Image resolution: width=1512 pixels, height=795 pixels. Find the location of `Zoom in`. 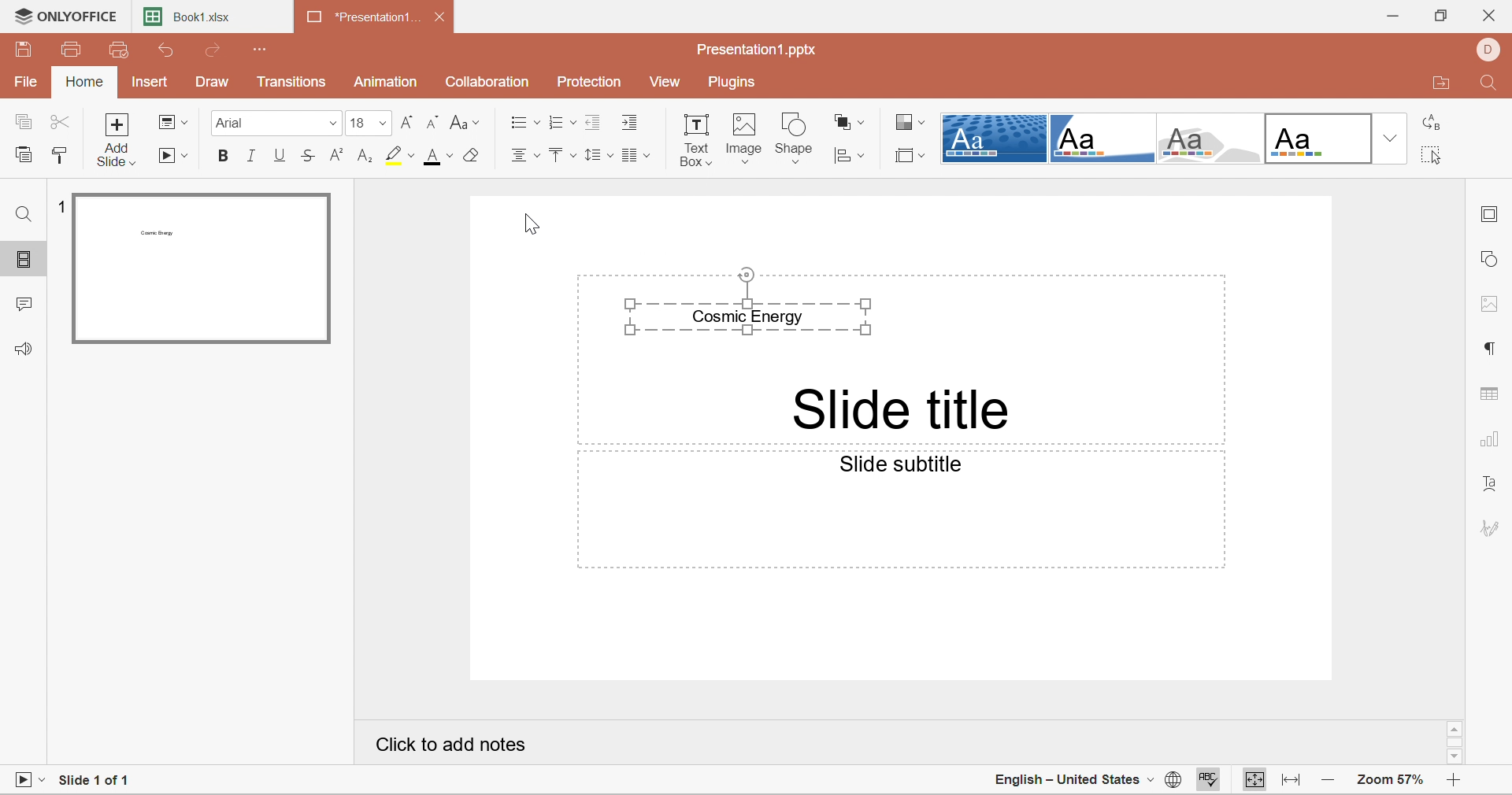

Zoom in is located at coordinates (1455, 779).